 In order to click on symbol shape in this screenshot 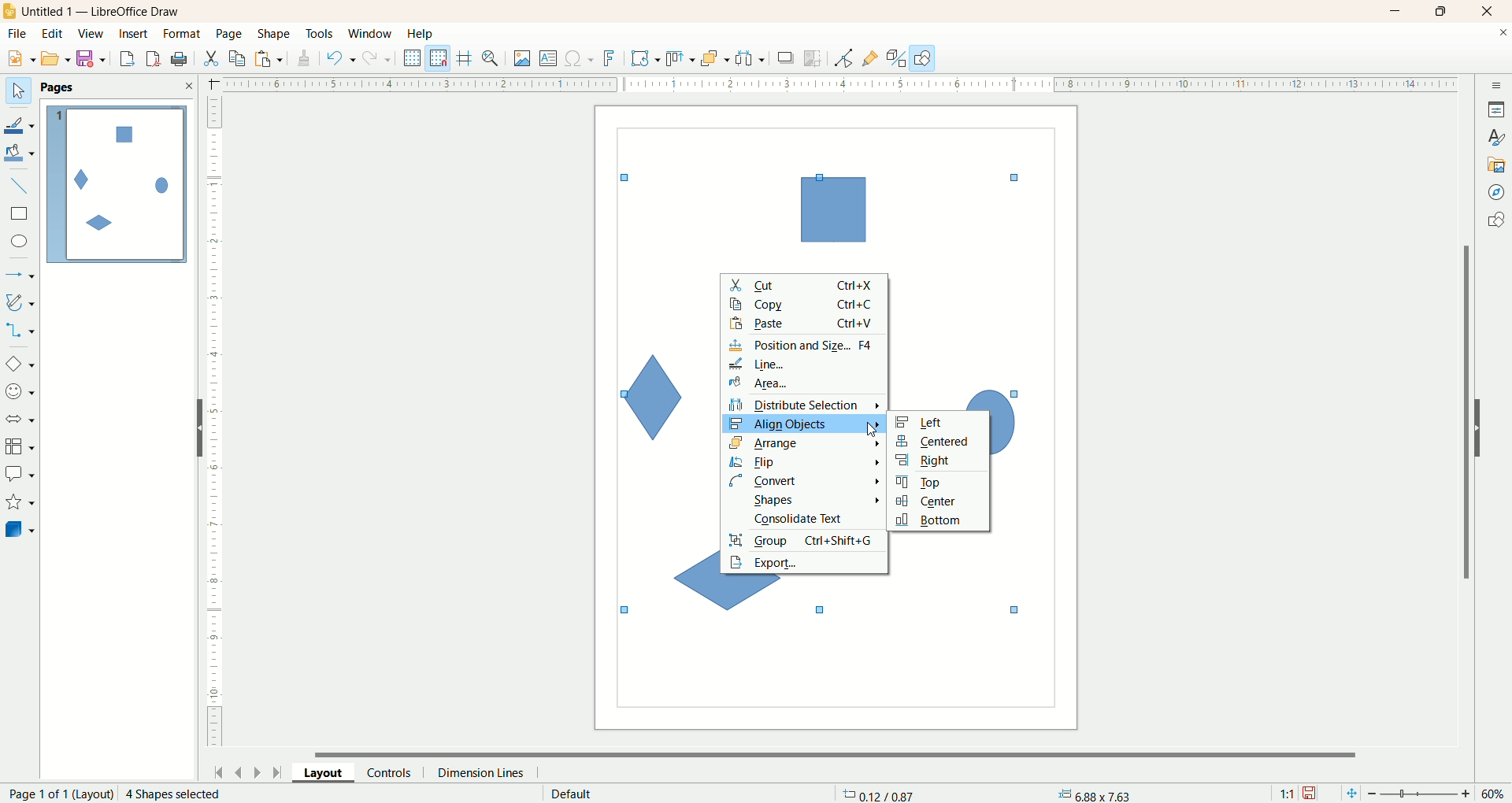, I will do `click(22, 393)`.